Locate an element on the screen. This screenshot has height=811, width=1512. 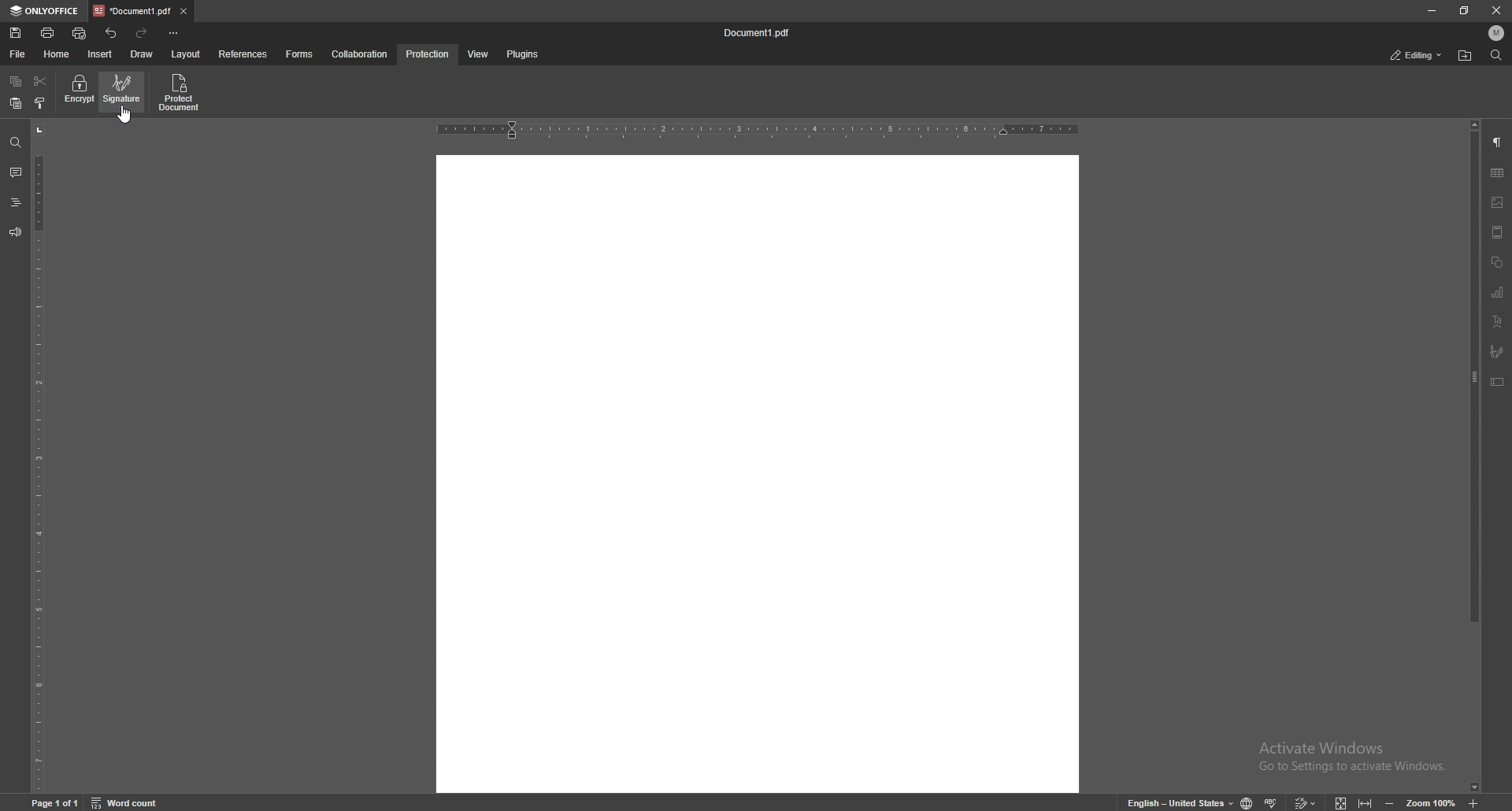
fit to screen is located at coordinates (1336, 801).